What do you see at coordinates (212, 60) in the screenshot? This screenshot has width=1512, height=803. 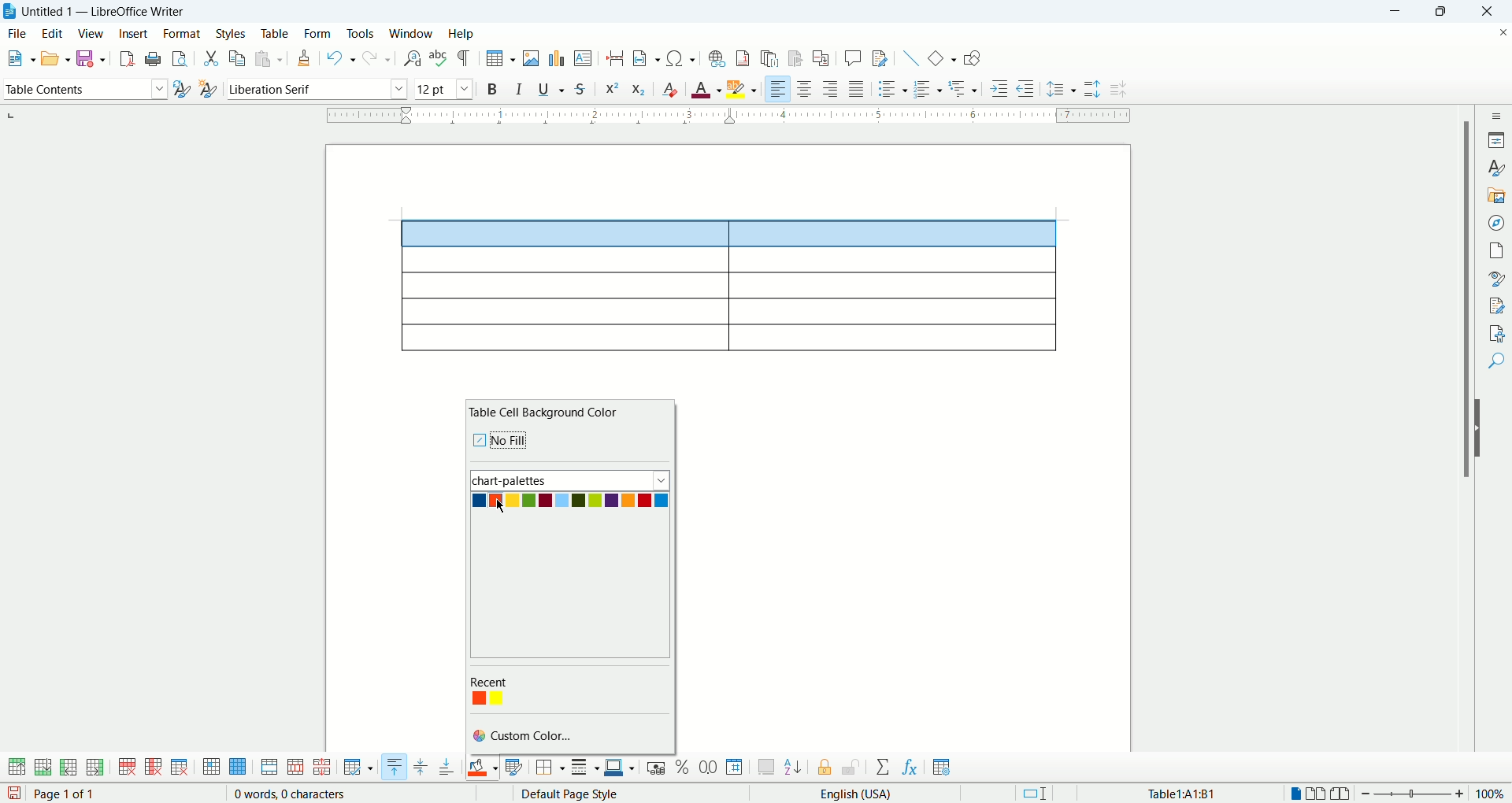 I see `cut` at bounding box center [212, 60].